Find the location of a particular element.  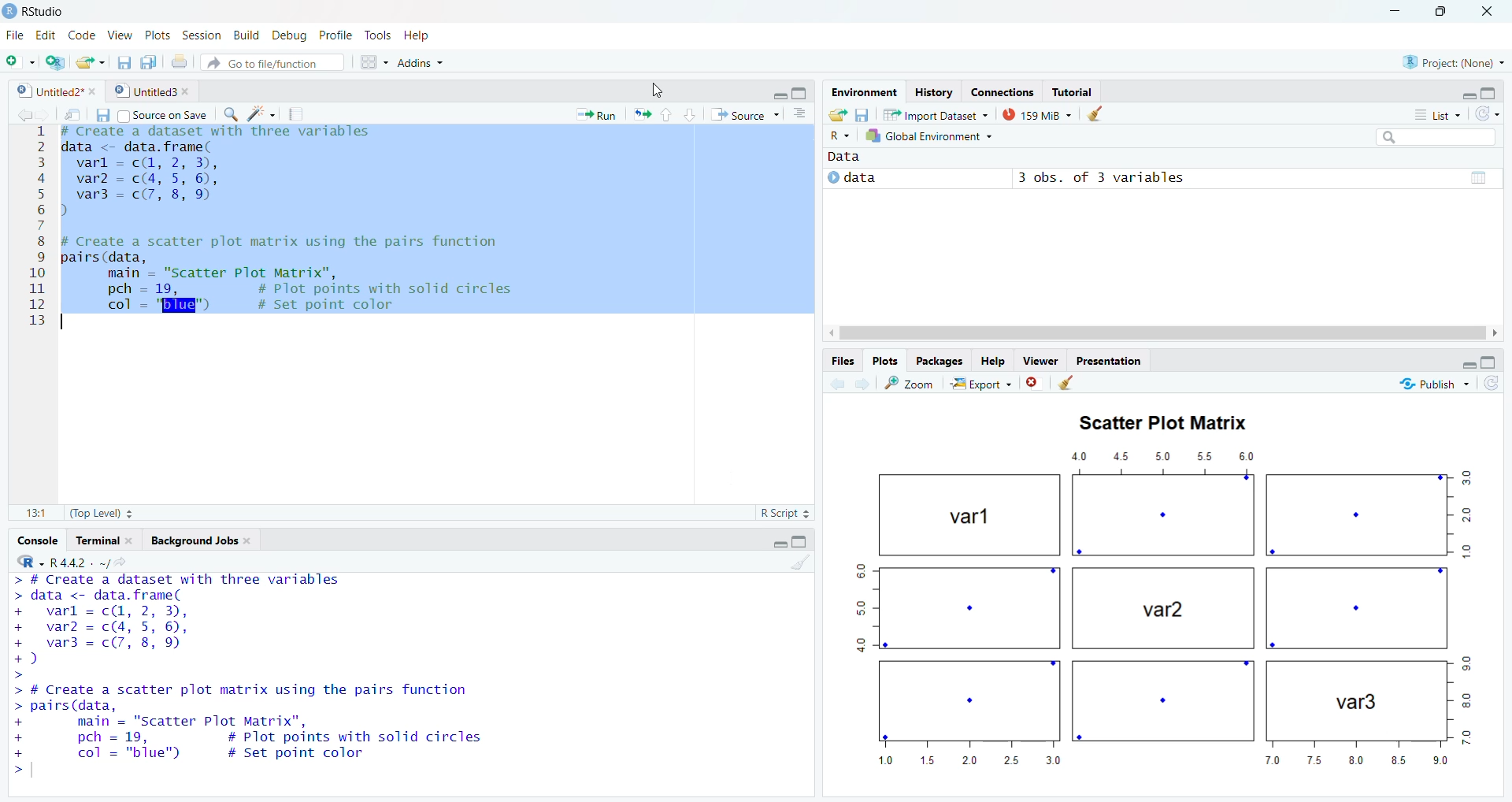

Complie report is located at coordinates (300, 114).